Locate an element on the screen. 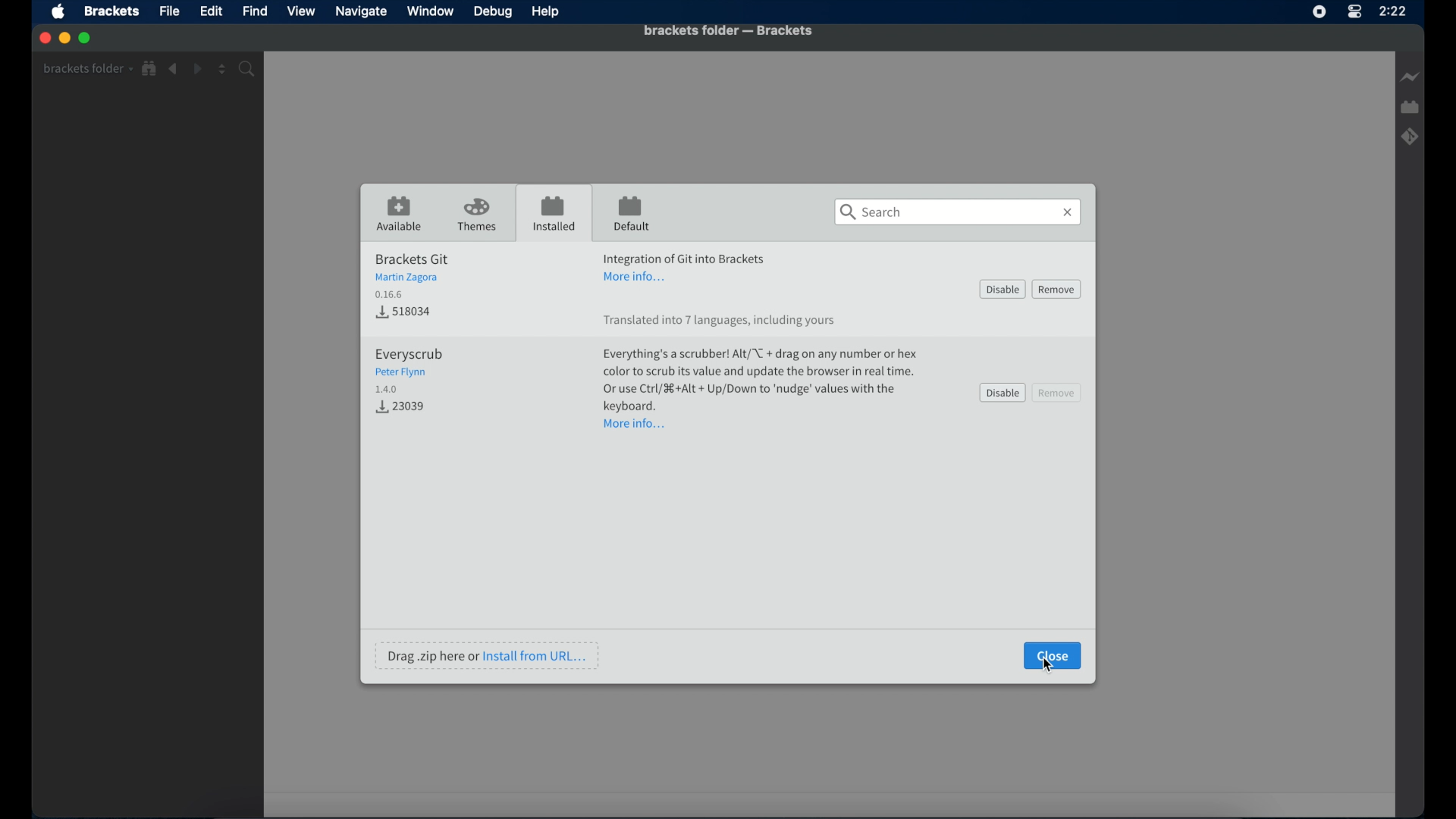 The image size is (1456, 819). split editor vertical or horizontal is located at coordinates (222, 70).